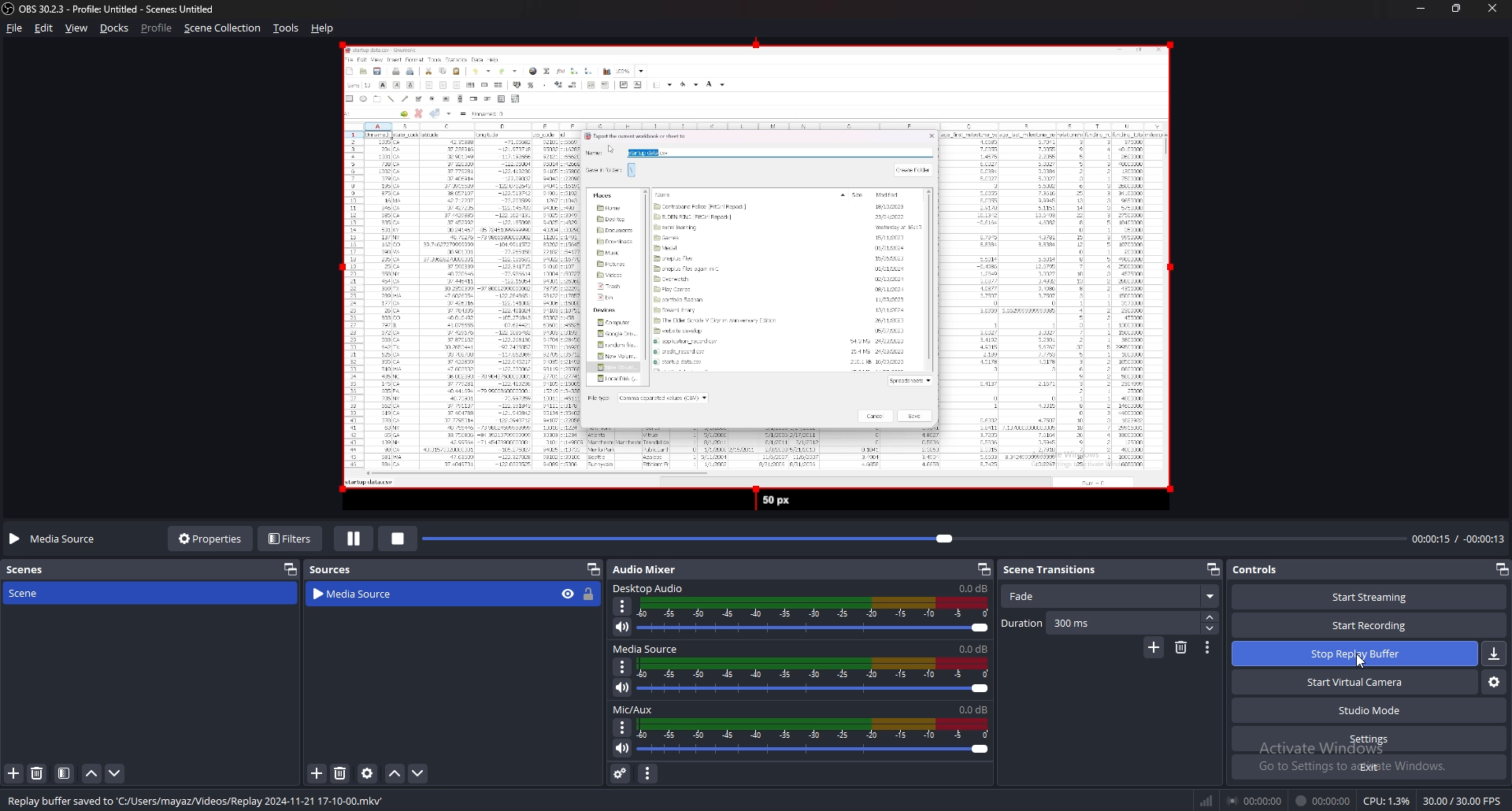 This screenshot has height=811, width=1512. Describe the element at coordinates (1458, 539) in the screenshot. I see `00:00:05 / -00:00:23` at that location.